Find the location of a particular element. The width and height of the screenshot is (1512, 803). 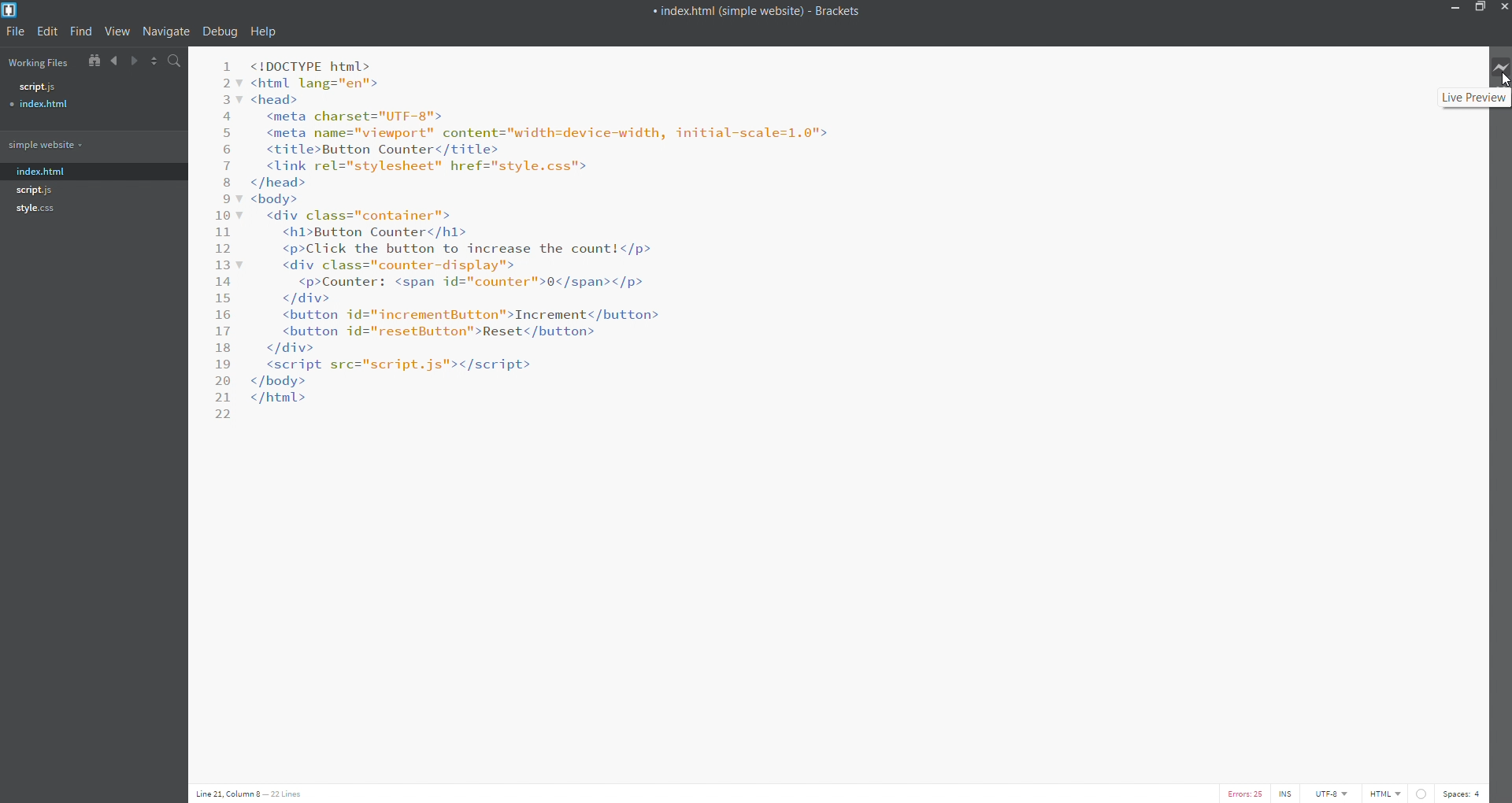

number of line is located at coordinates (221, 235).